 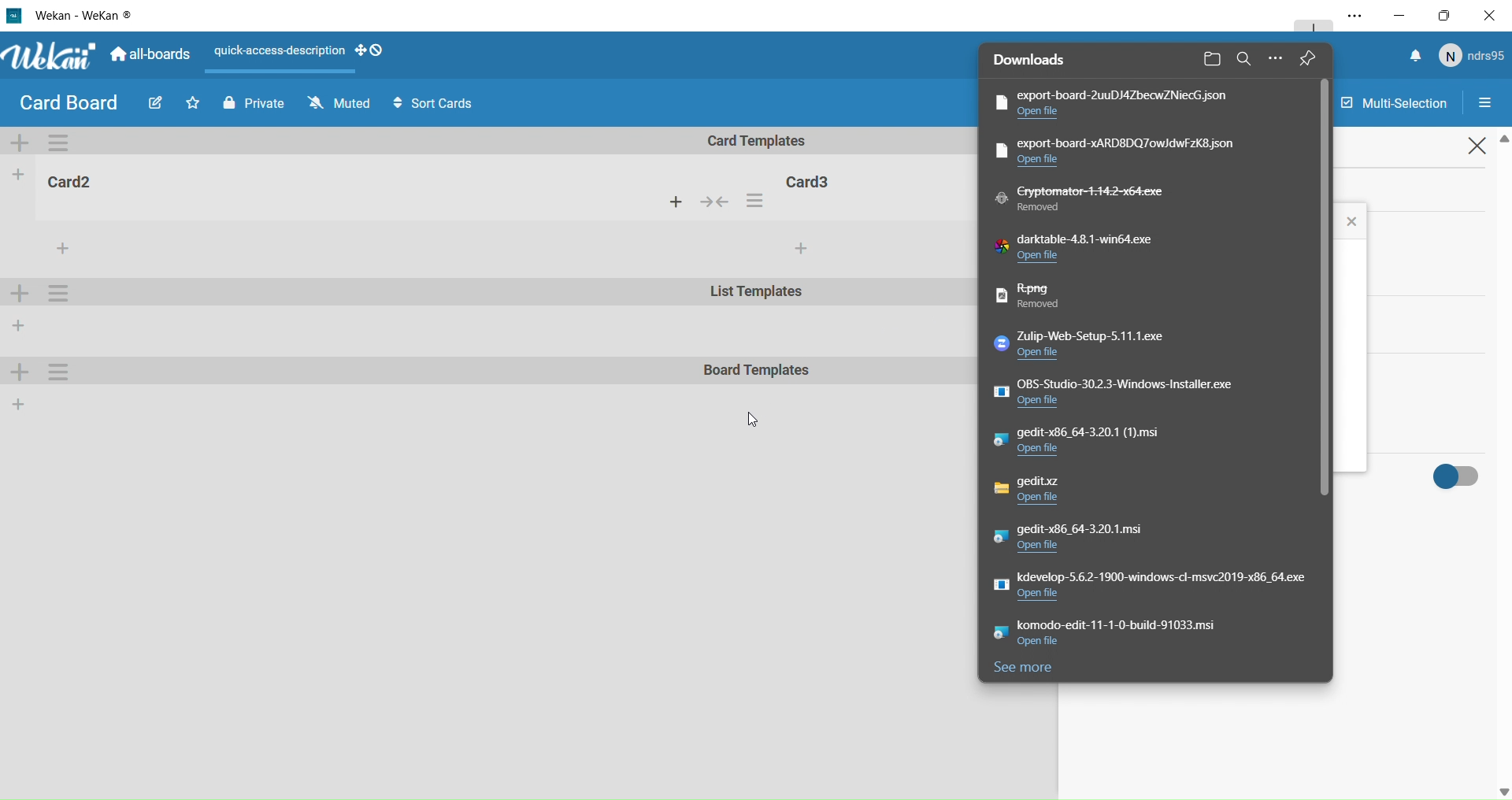 I want to click on , so click(x=149, y=57).